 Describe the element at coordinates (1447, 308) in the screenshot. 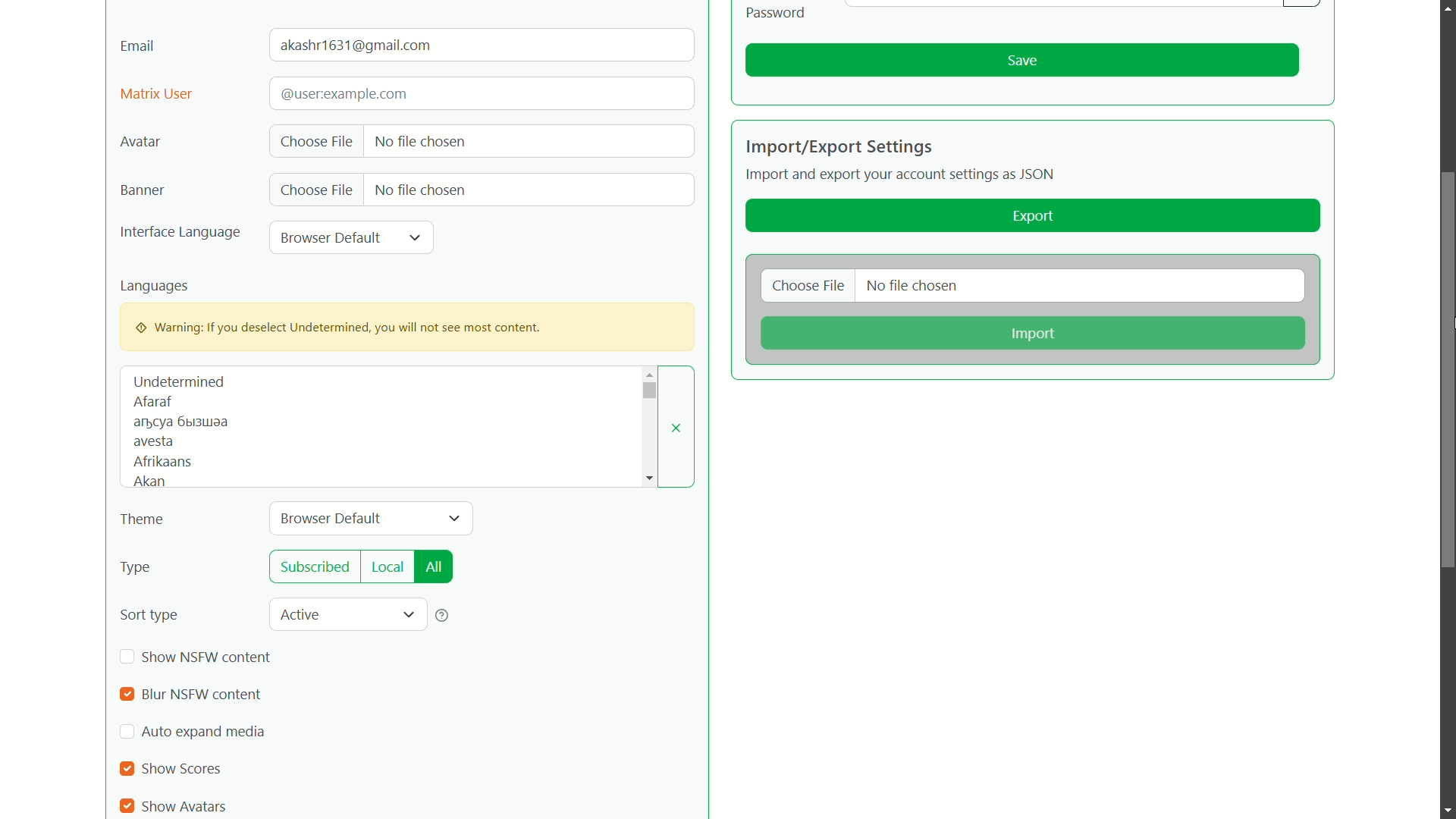

I see `cursor` at that location.